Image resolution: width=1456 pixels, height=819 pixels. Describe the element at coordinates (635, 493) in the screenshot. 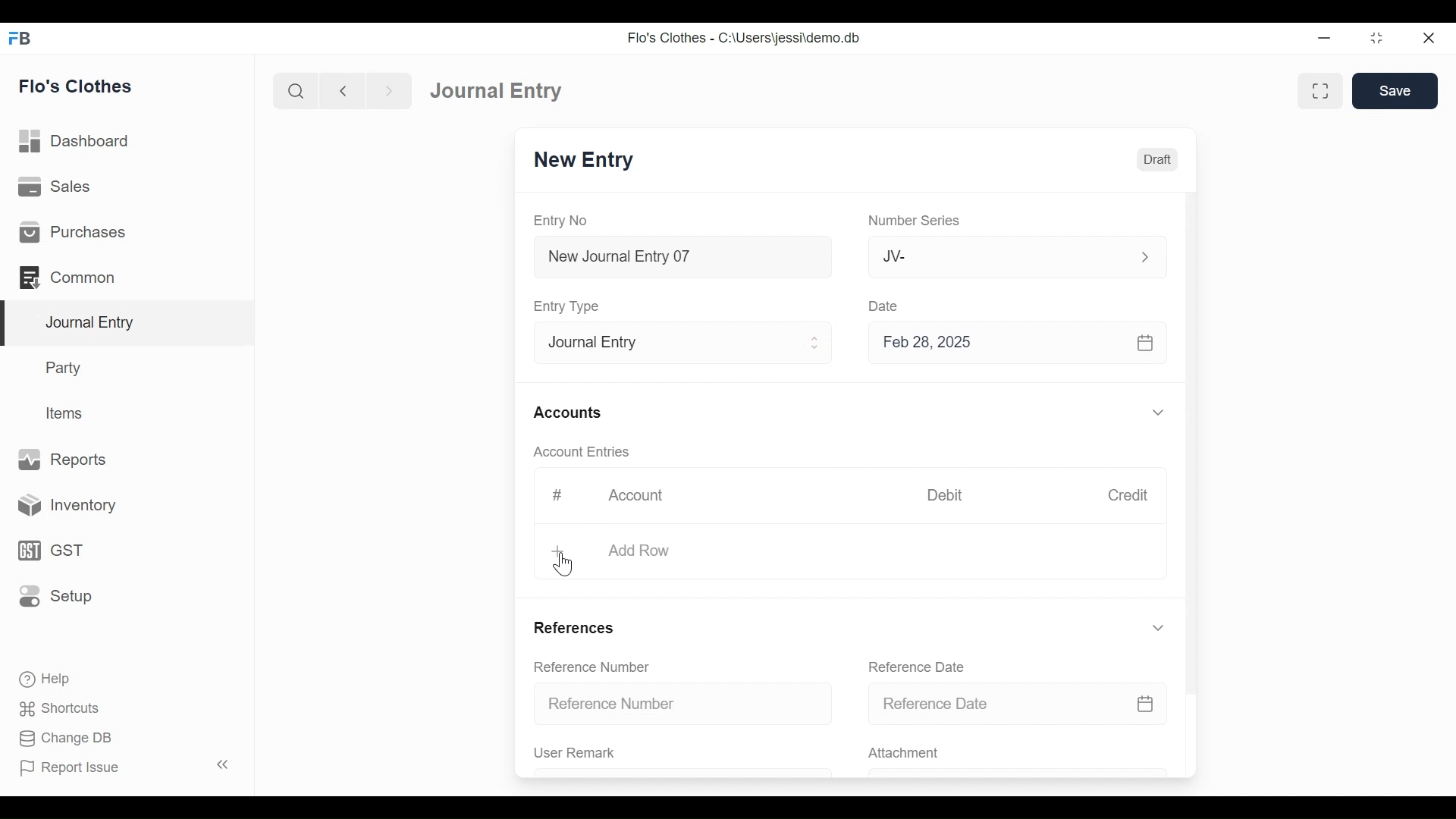

I see `Account` at that location.